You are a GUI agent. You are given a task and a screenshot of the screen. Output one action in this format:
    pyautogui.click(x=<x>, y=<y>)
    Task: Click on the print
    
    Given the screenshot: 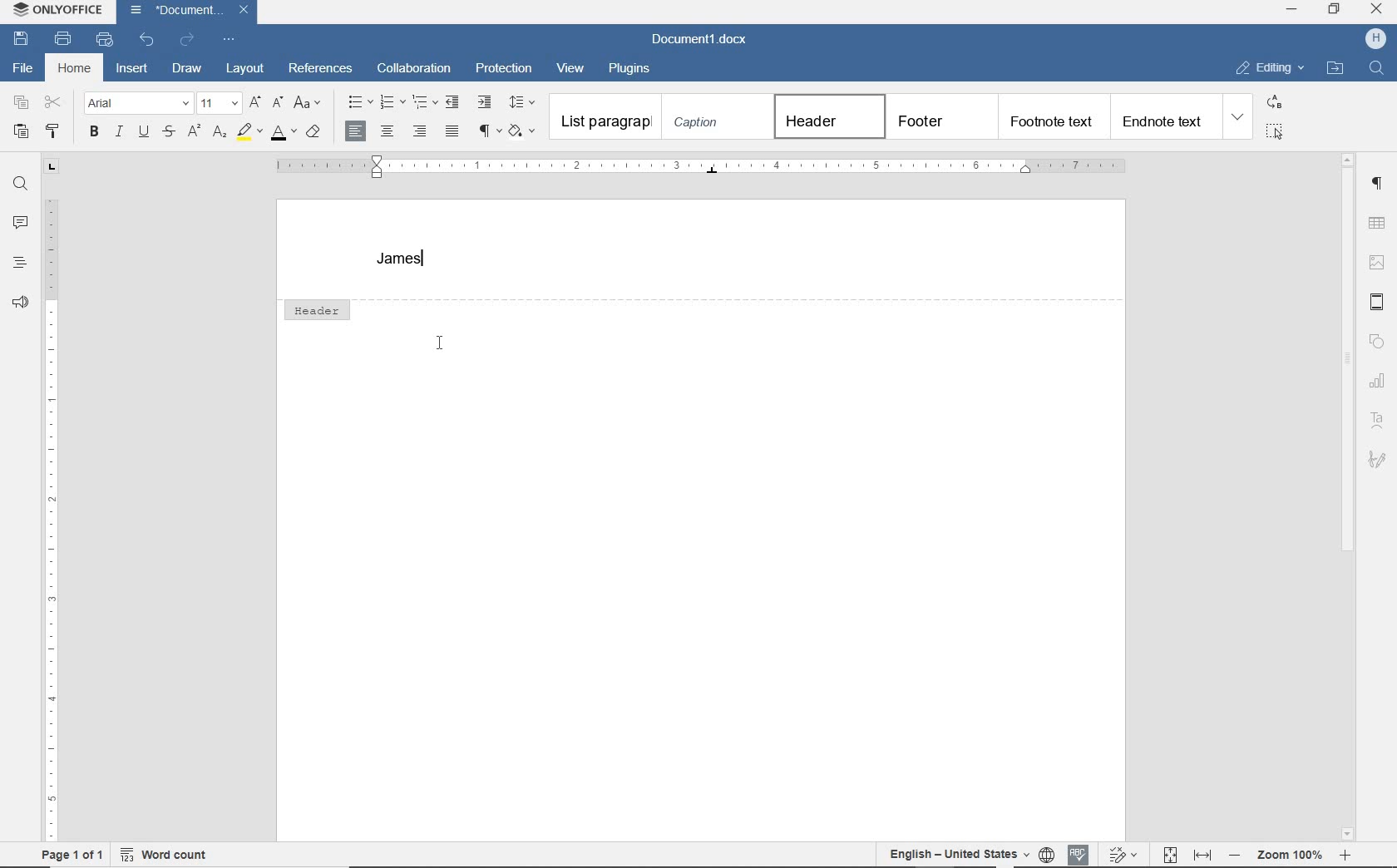 What is the action you would take?
    pyautogui.click(x=66, y=40)
    